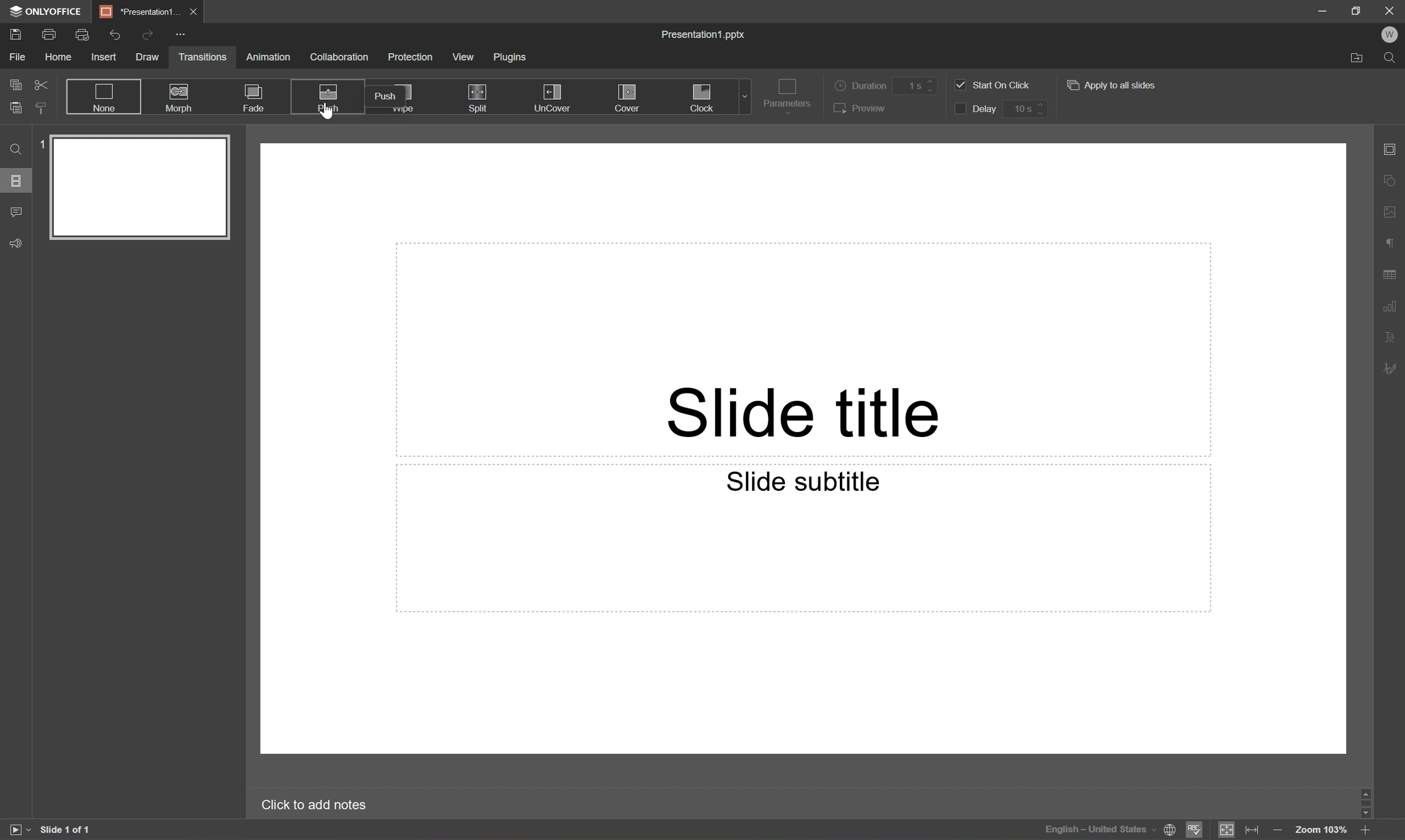 The image size is (1405, 840). What do you see at coordinates (1322, 9) in the screenshot?
I see `Minimize` at bounding box center [1322, 9].